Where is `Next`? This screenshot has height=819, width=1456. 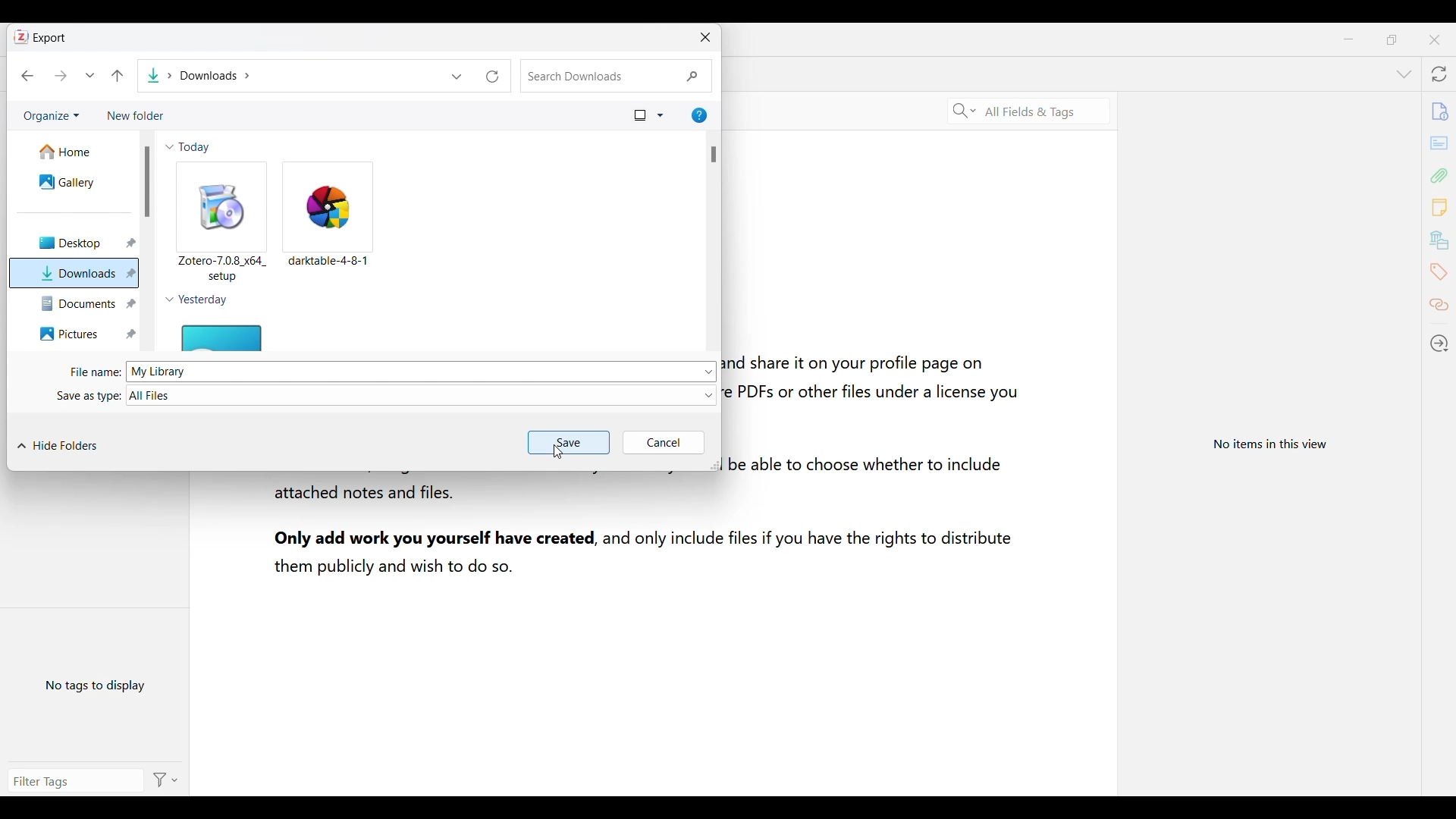 Next is located at coordinates (61, 75).